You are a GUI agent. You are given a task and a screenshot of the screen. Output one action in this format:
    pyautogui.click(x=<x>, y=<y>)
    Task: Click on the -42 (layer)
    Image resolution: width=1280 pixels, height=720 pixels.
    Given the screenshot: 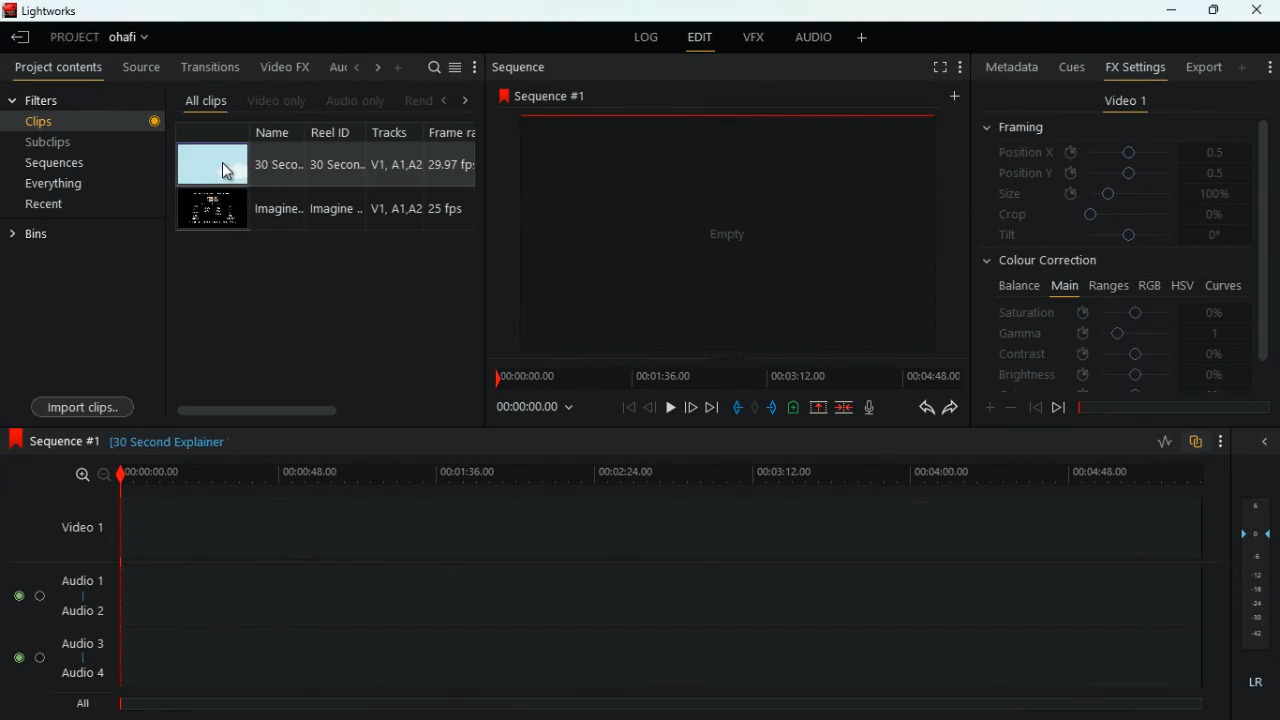 What is the action you would take?
    pyautogui.click(x=1258, y=634)
    